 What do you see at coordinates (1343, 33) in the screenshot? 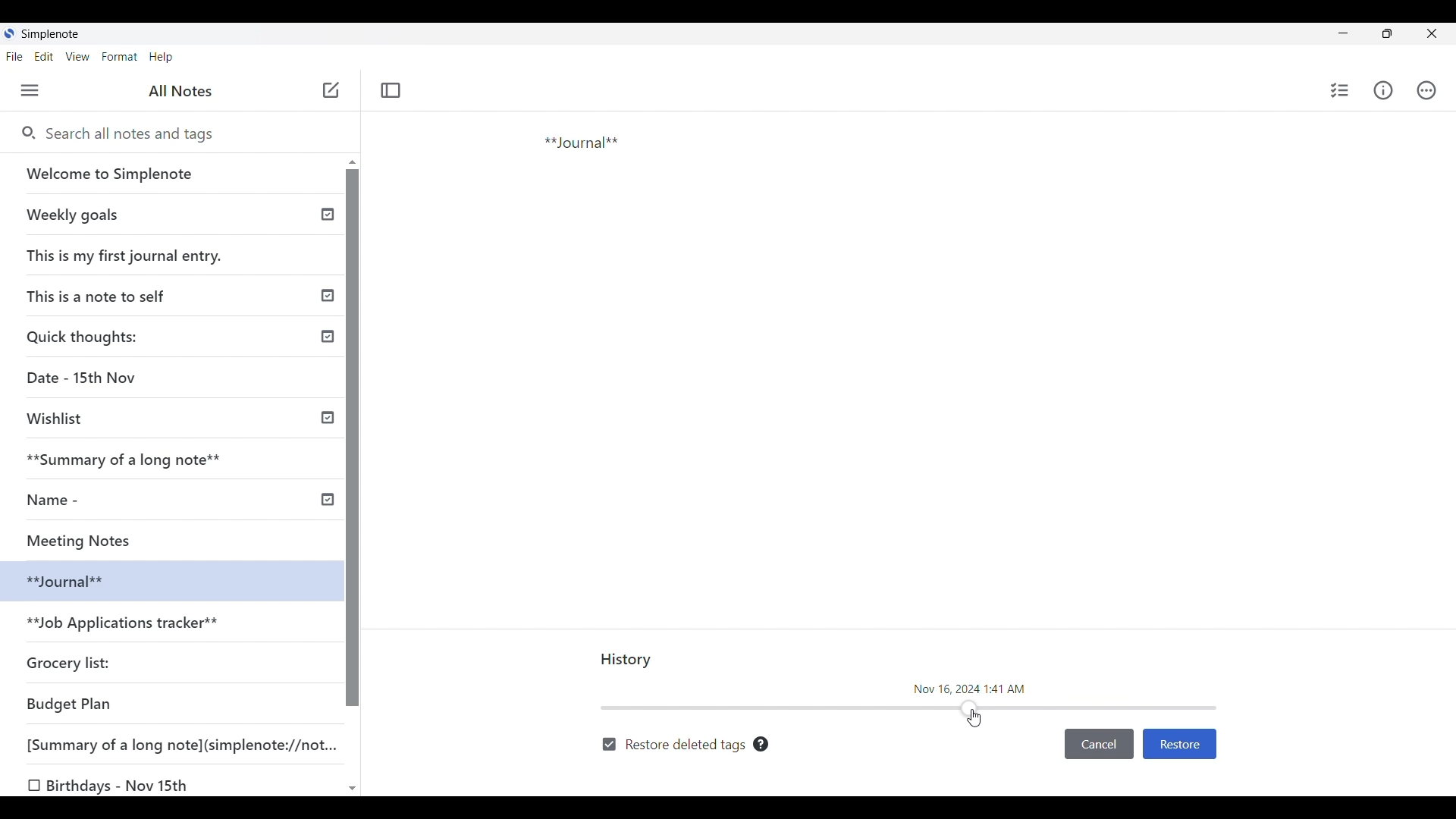
I see `Minimize` at bounding box center [1343, 33].